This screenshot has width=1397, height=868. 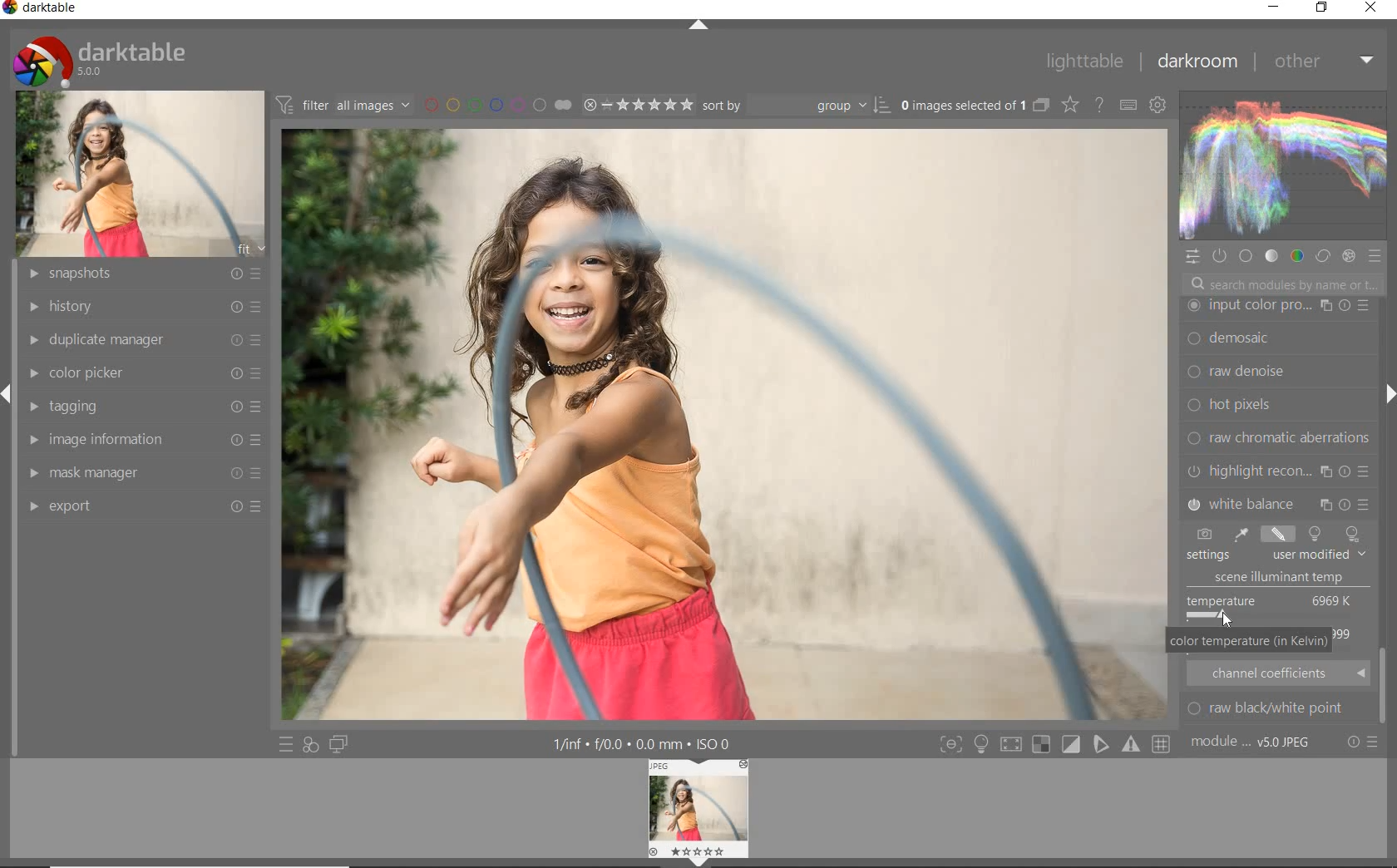 What do you see at coordinates (1279, 673) in the screenshot?
I see `CHANNEL COEFFICIENTS` at bounding box center [1279, 673].